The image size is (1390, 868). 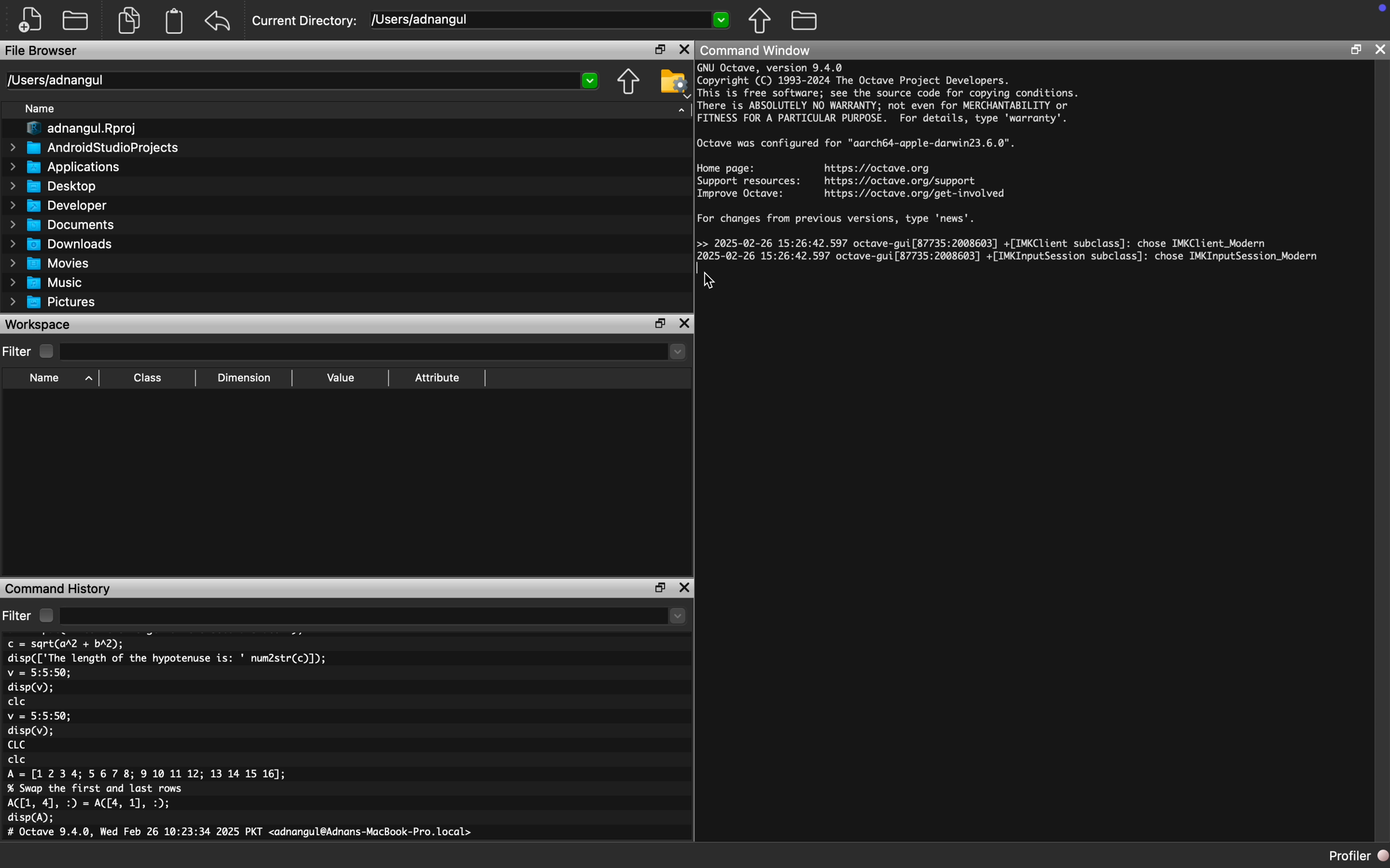 What do you see at coordinates (857, 144) in the screenshot?
I see `Octave was configured for "aarch64-apple-darwin23.6.0".` at bounding box center [857, 144].